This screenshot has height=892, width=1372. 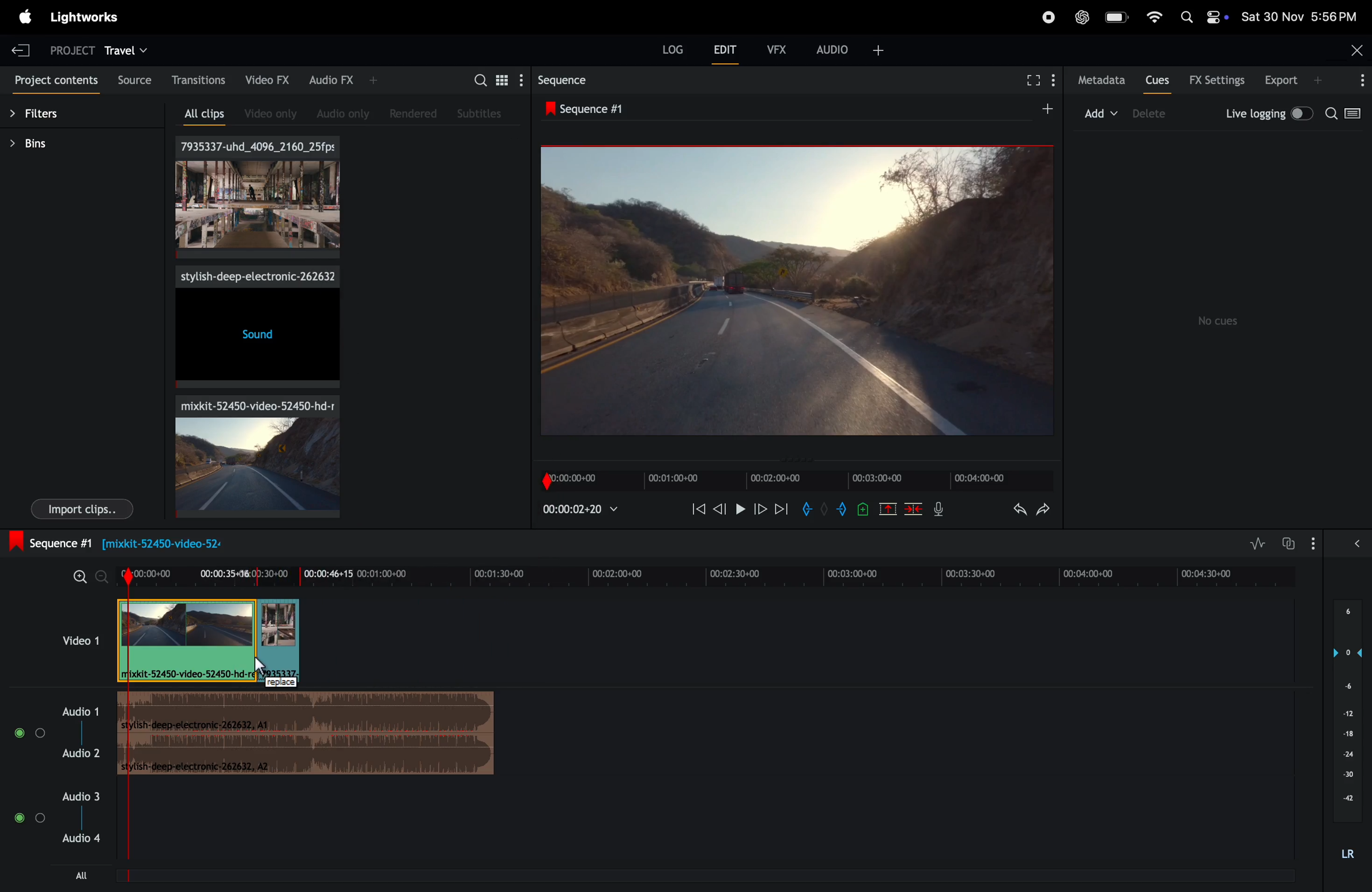 I want to click on apple widgets, so click(x=1203, y=17).